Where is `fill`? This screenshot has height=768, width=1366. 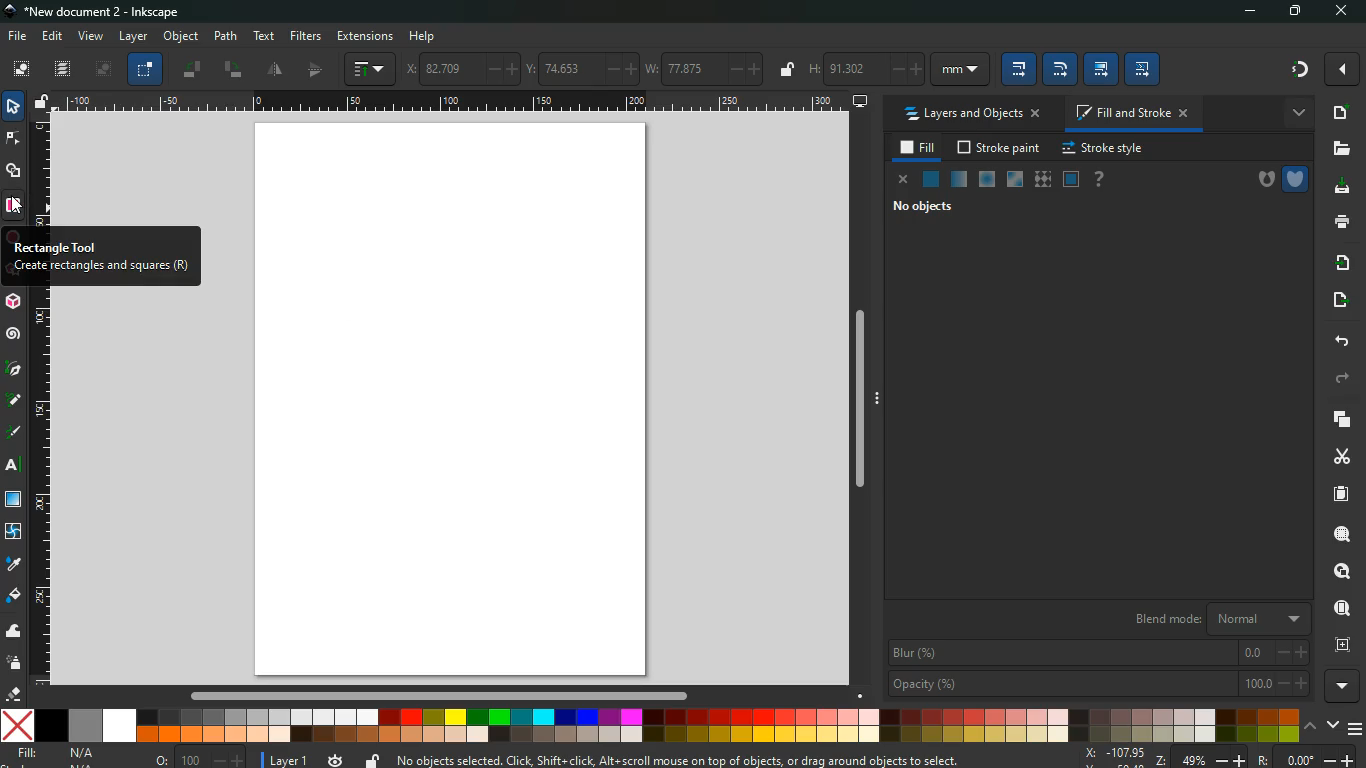
fill is located at coordinates (917, 149).